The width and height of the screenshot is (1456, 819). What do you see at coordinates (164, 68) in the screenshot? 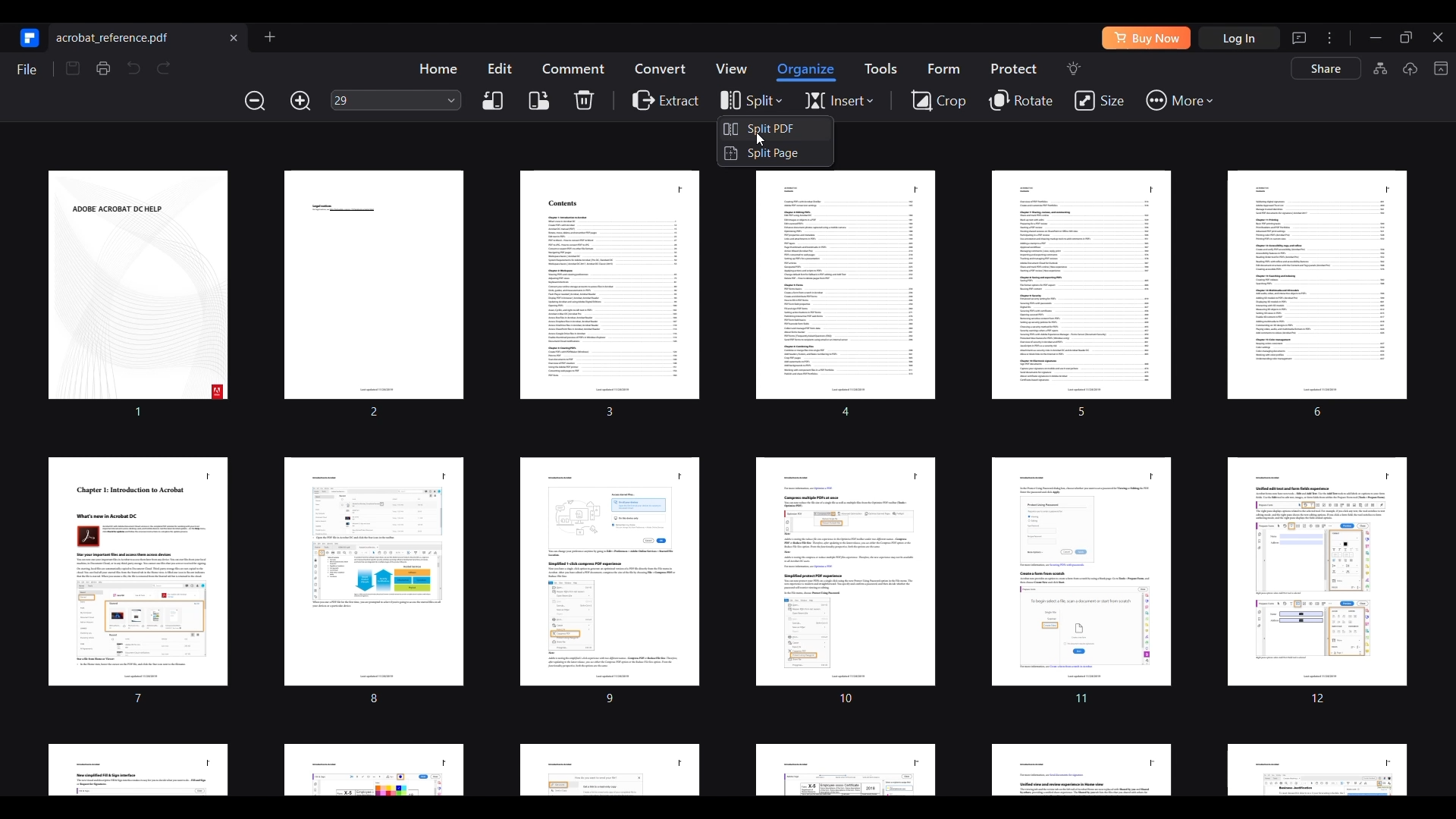
I see `Redo` at bounding box center [164, 68].